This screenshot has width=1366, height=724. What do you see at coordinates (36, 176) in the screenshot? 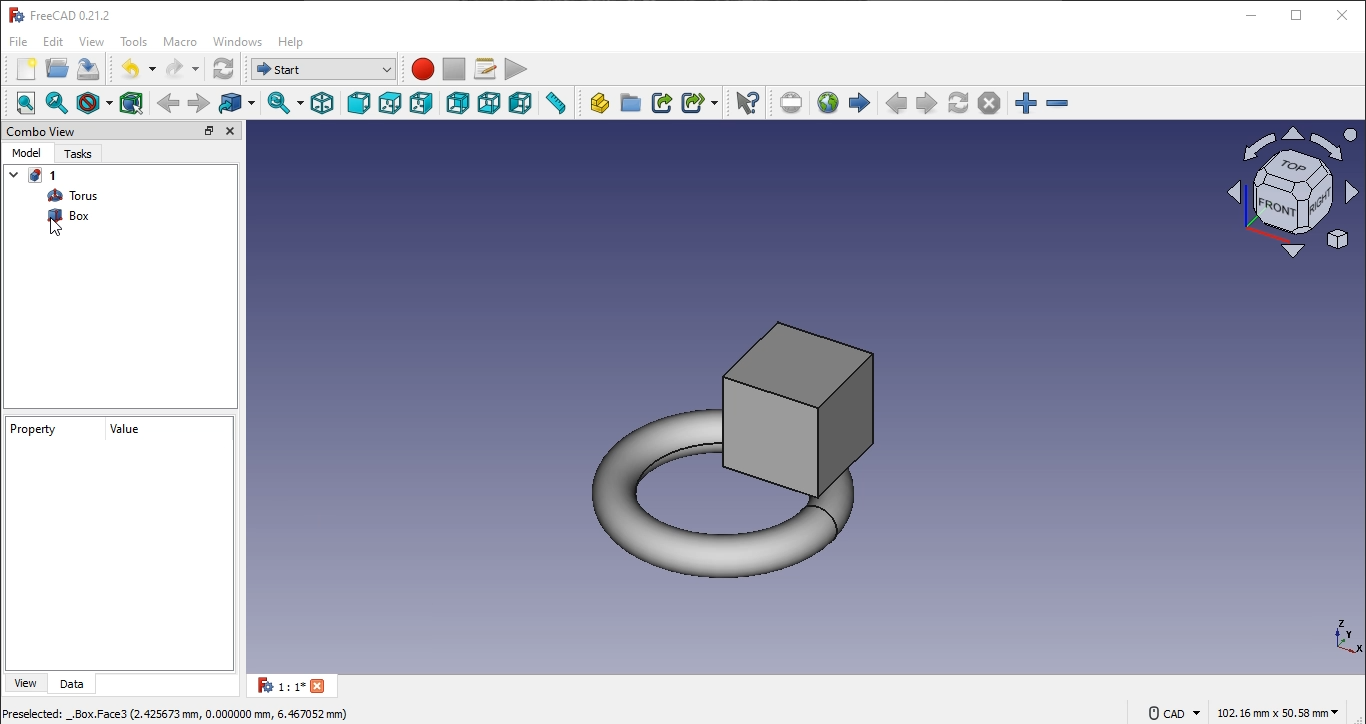
I see `1` at bounding box center [36, 176].